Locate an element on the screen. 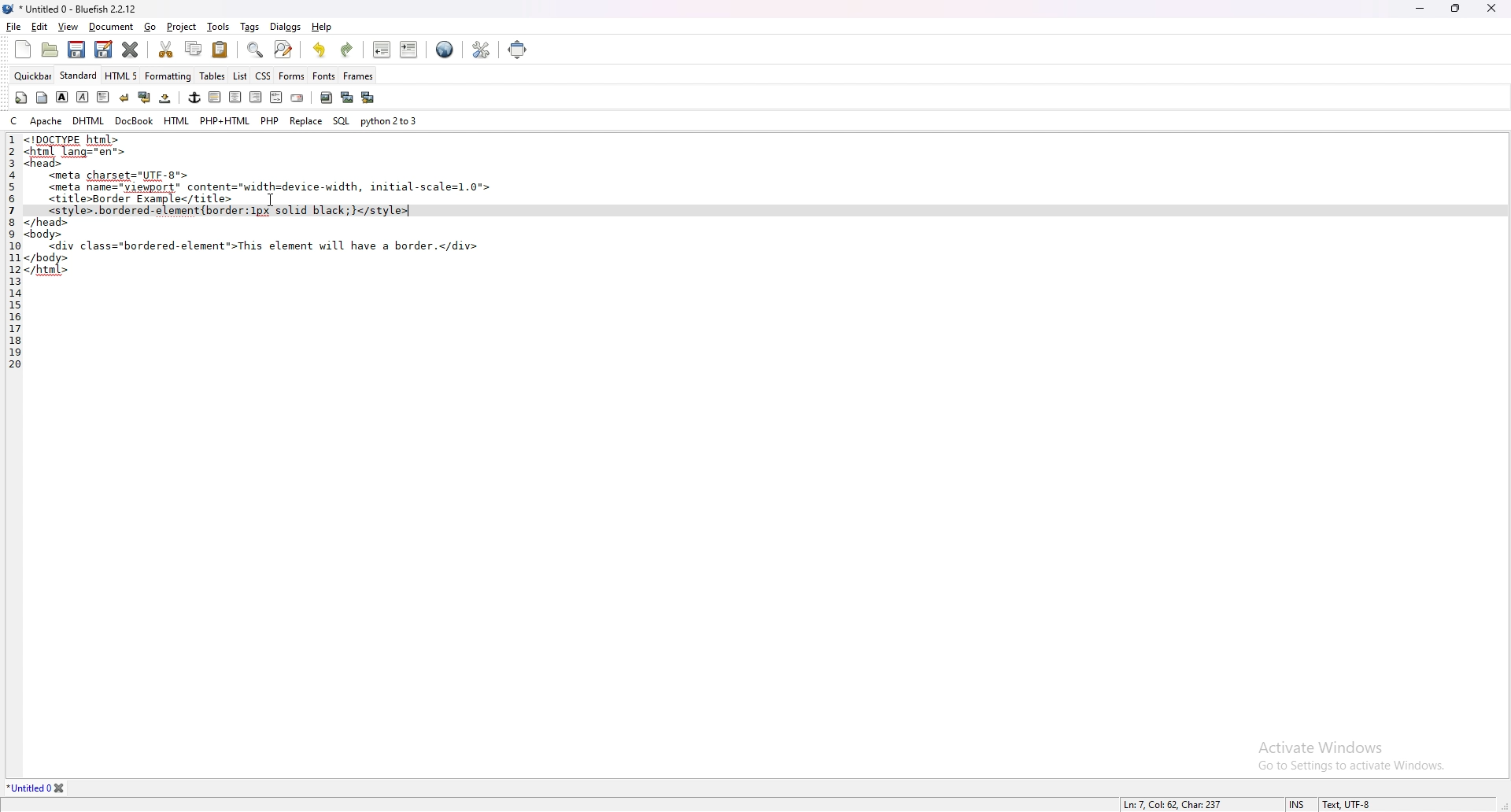  css is located at coordinates (264, 76).